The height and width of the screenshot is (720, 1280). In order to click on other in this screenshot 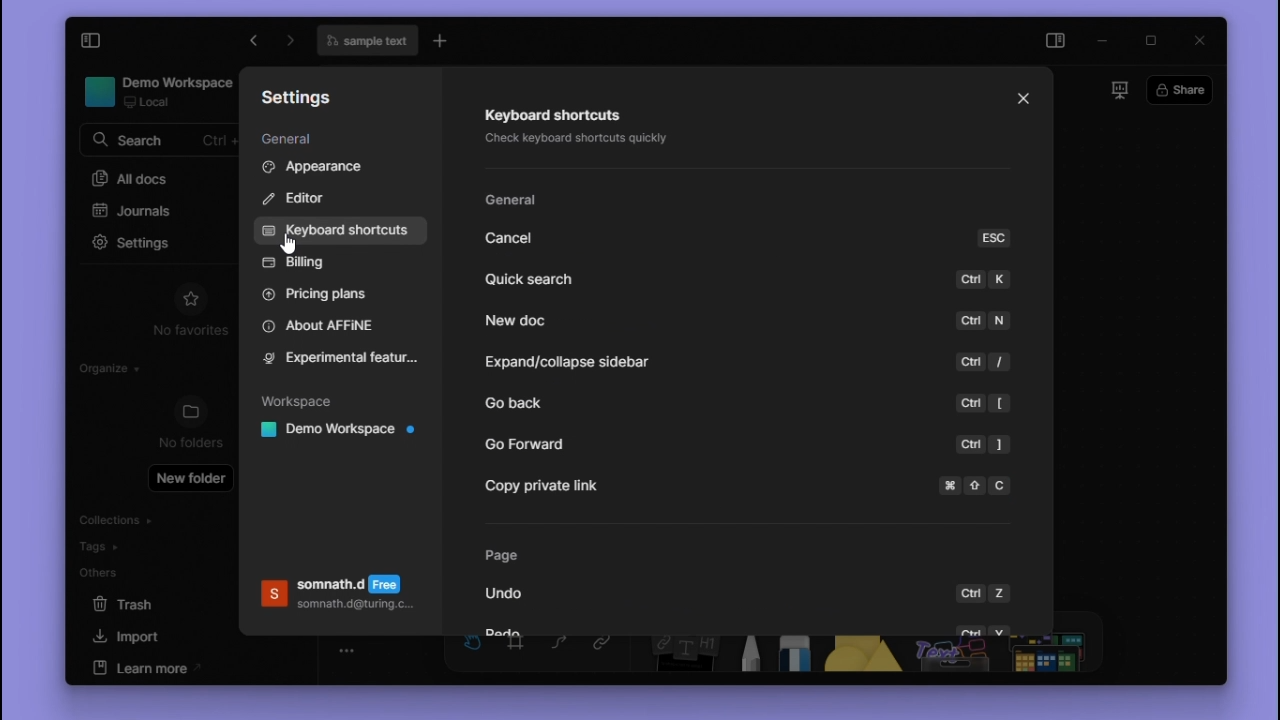, I will do `click(949, 656)`.